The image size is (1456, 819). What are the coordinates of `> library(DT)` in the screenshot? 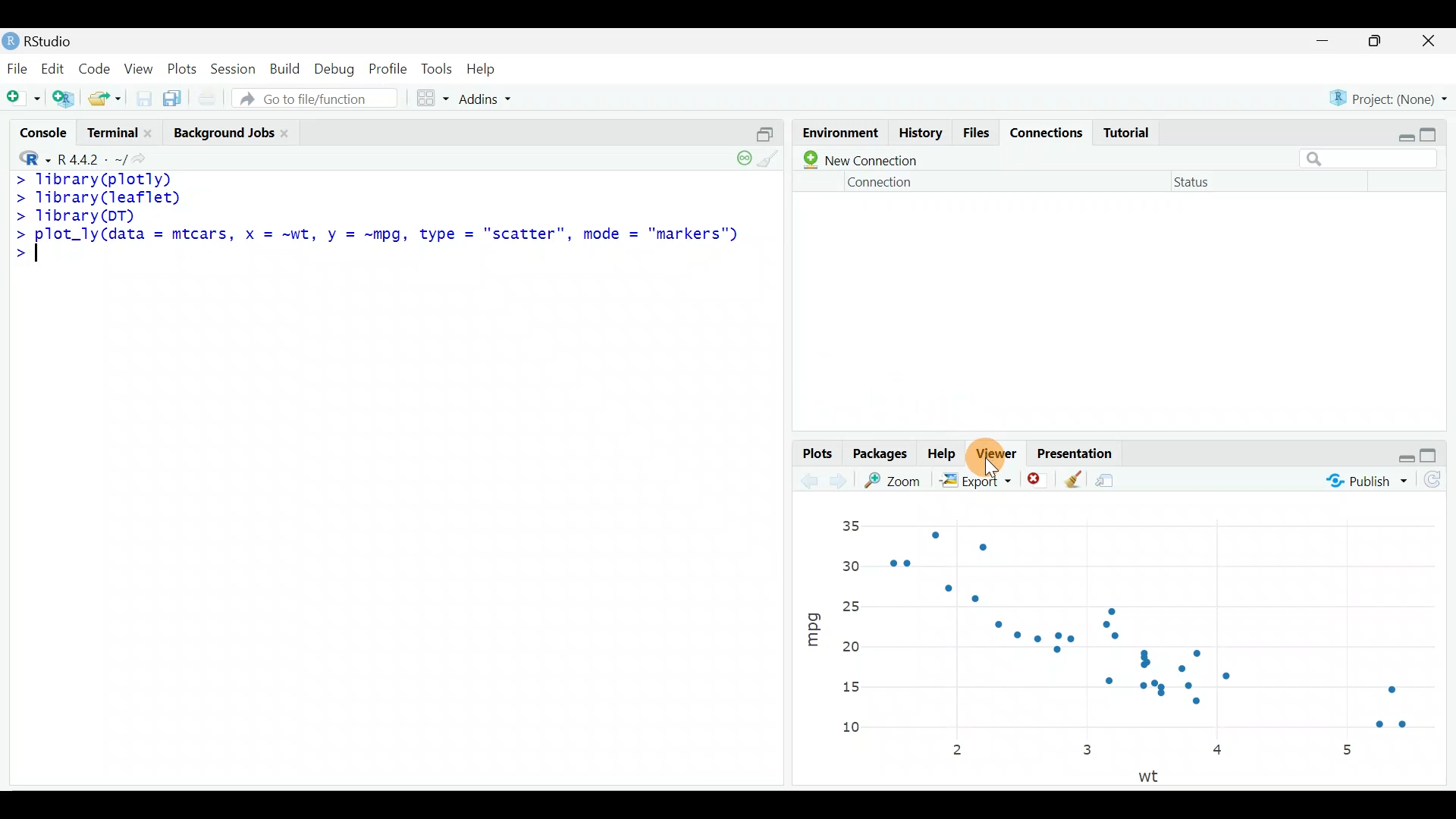 It's located at (81, 217).